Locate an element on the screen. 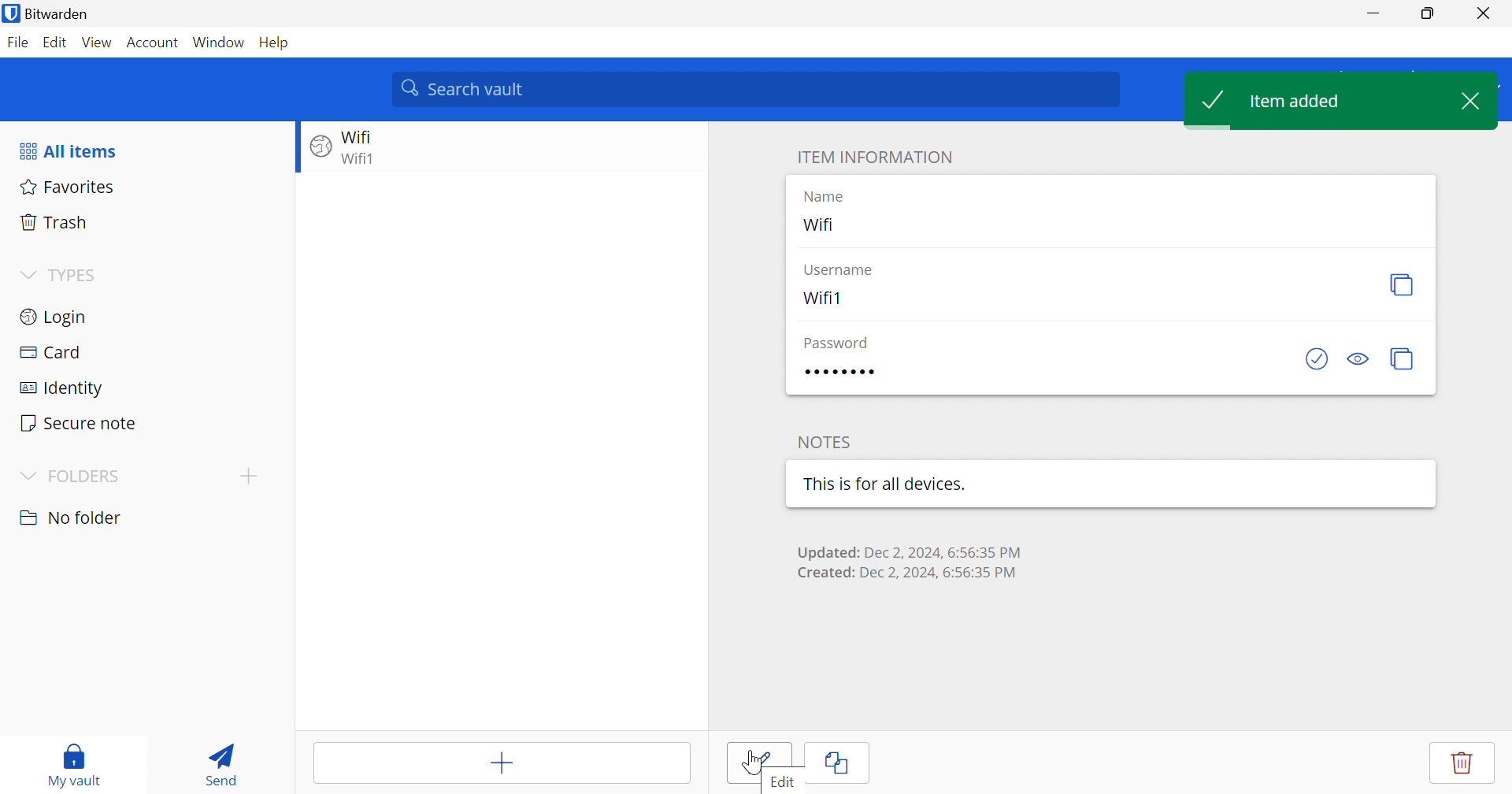 Image resolution: width=1512 pixels, height=794 pixels. File is located at coordinates (17, 42).